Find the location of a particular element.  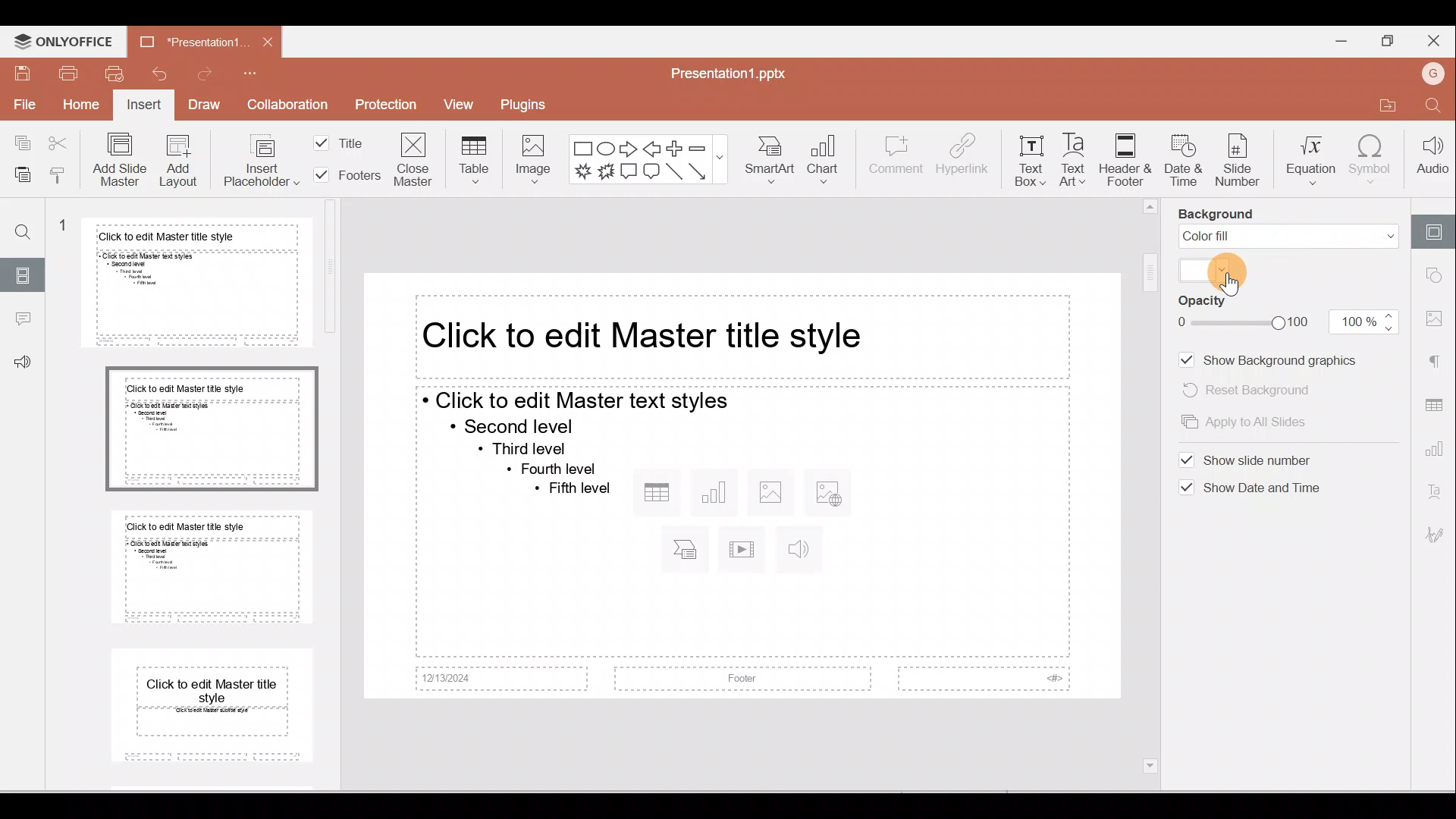

slider to change opacity is located at coordinates (1244, 322).